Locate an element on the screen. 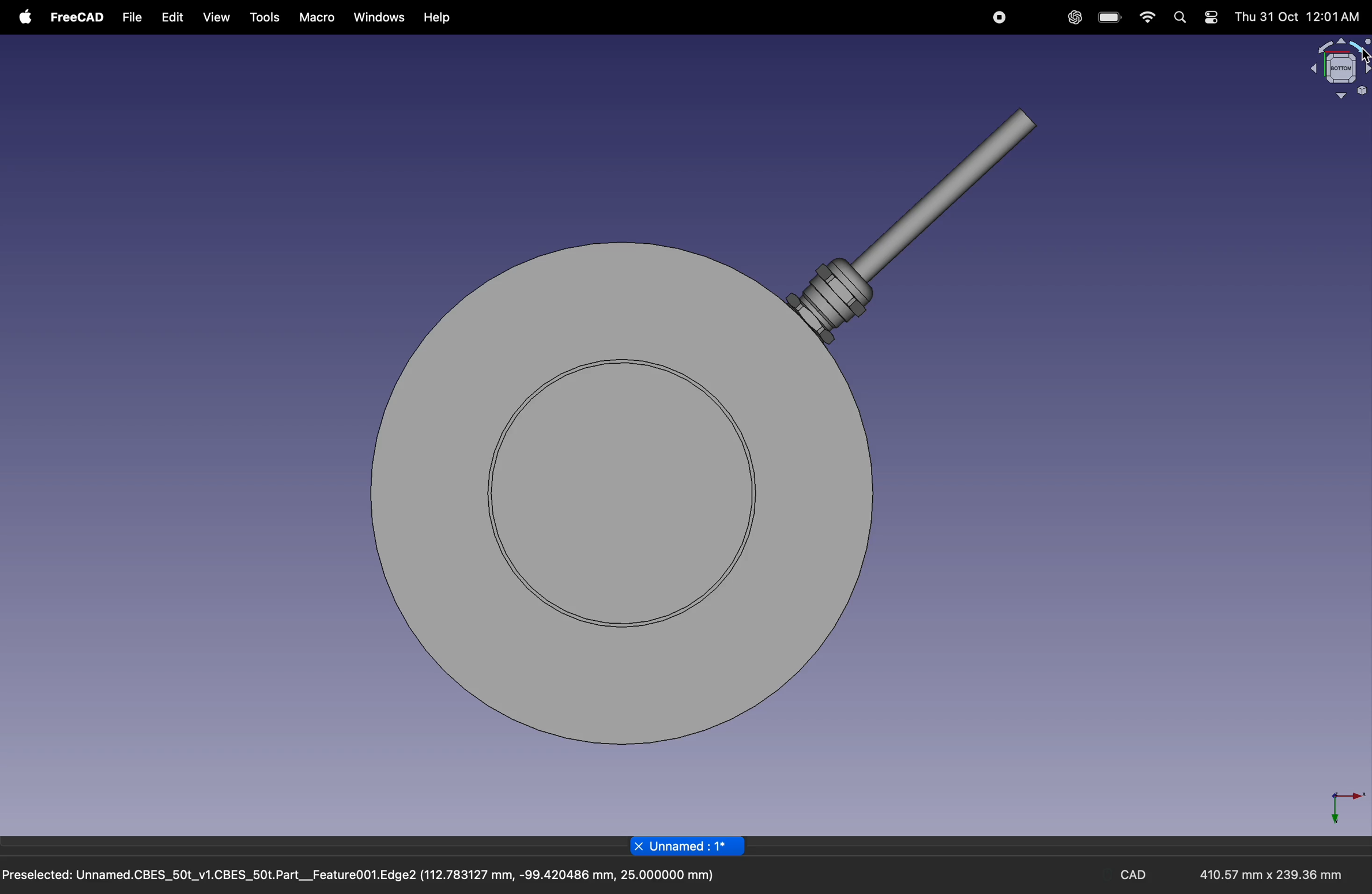 This screenshot has width=1372, height=894. Unnamed is located at coordinates (685, 846).